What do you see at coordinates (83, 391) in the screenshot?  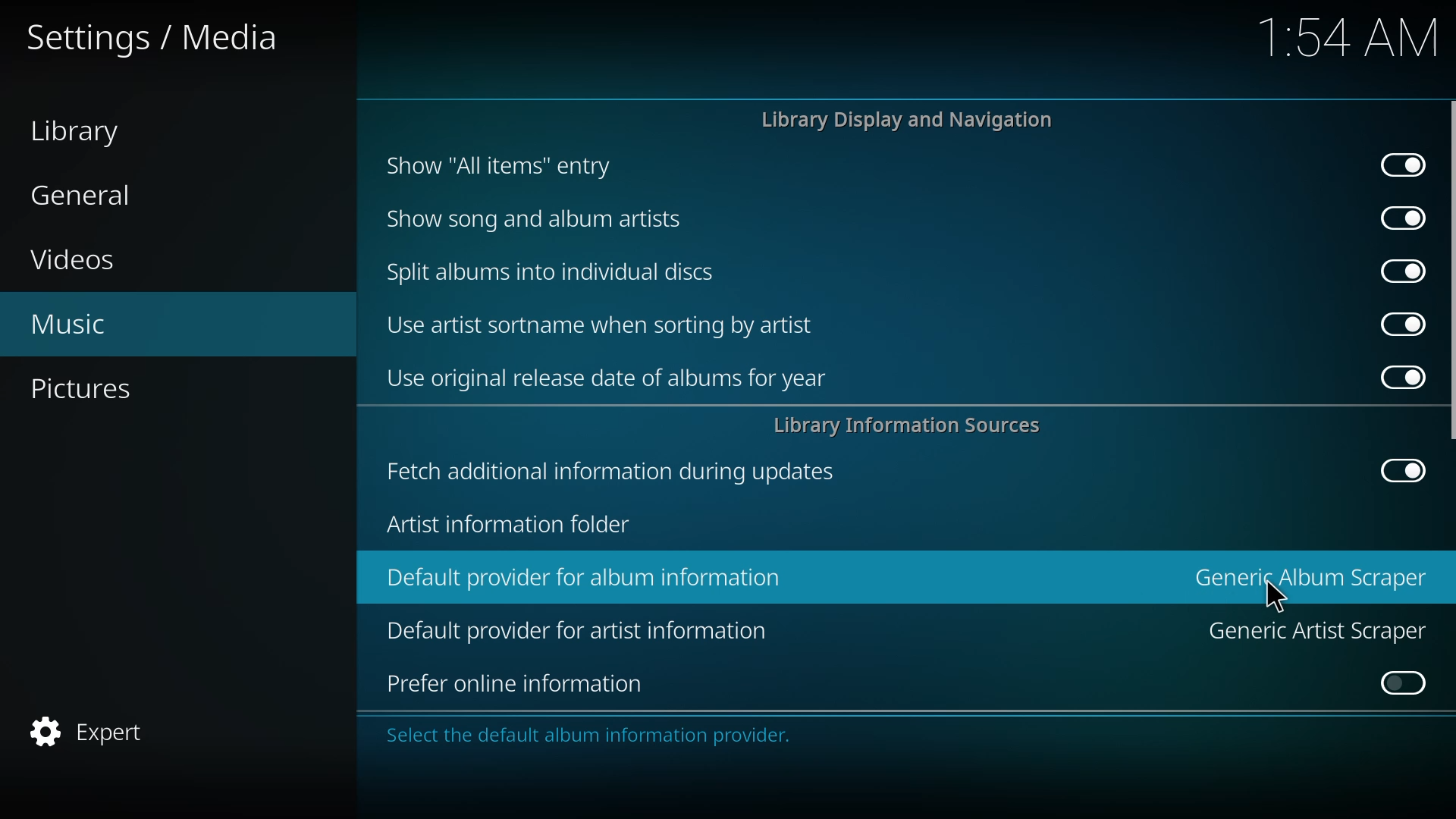 I see `pictures` at bounding box center [83, 391].